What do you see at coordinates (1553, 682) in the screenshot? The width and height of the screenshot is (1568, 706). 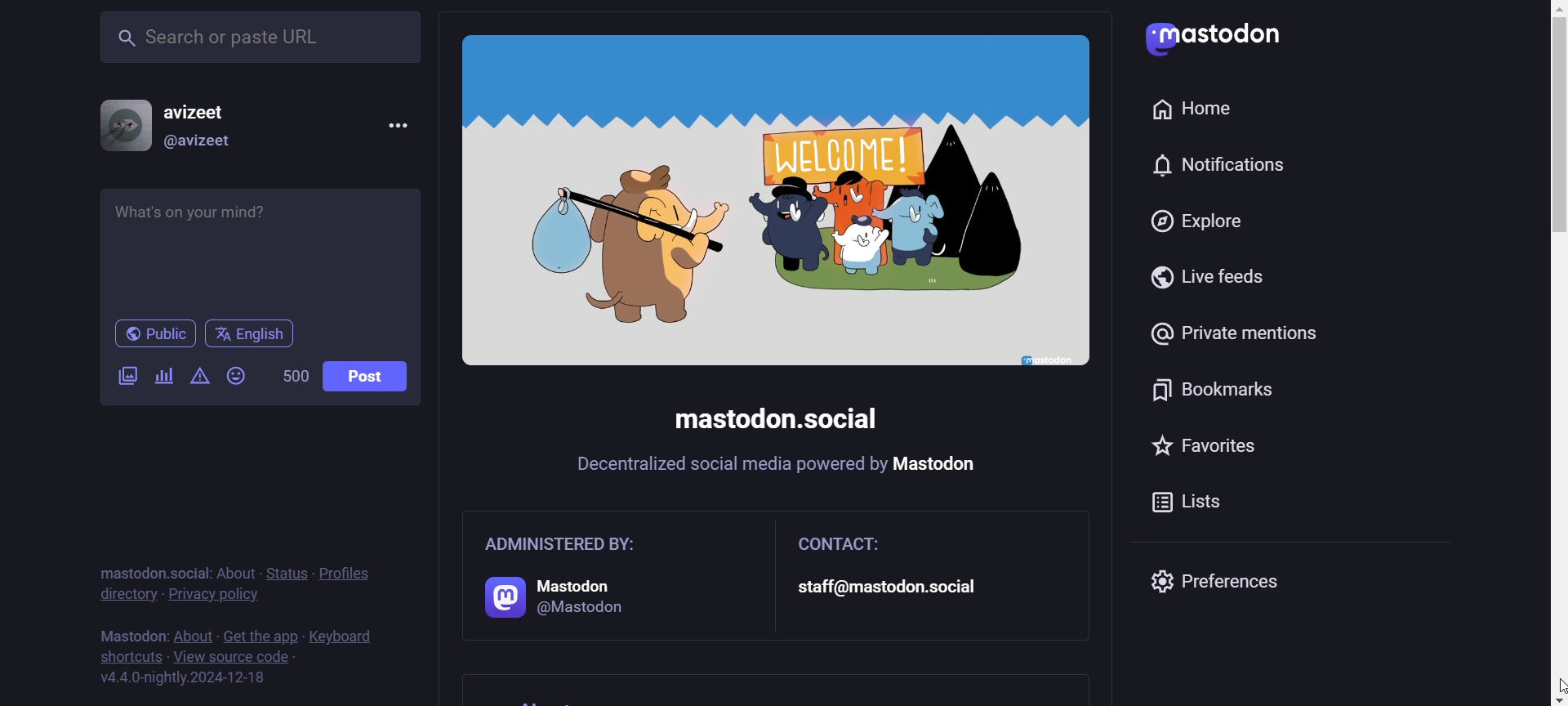 I see `cursor` at bounding box center [1553, 682].